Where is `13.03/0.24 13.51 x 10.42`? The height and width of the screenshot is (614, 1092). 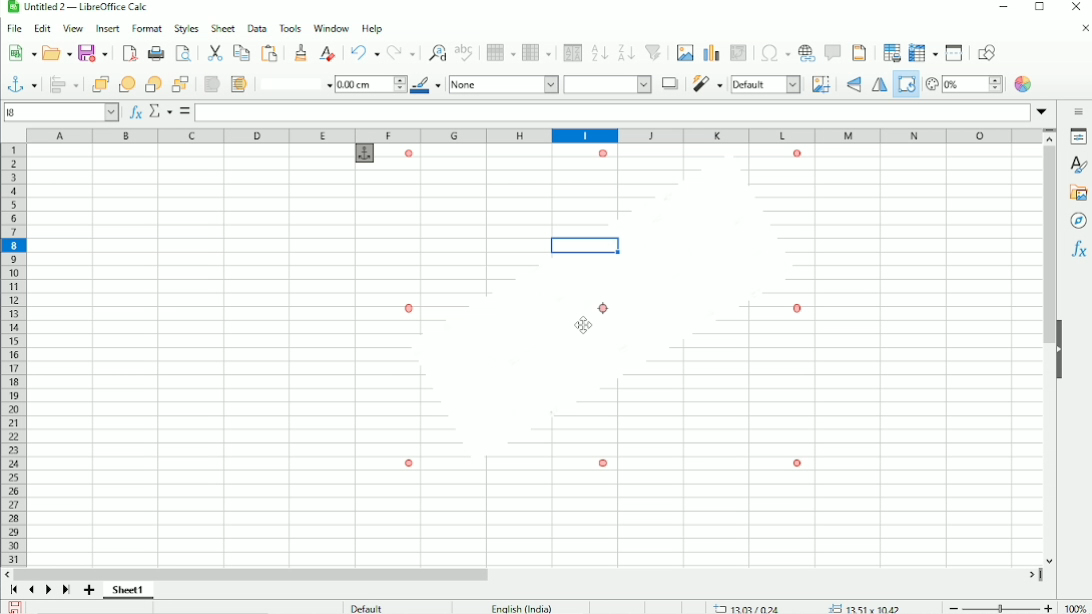
13.03/0.24 13.51 x 10.42 is located at coordinates (809, 607).